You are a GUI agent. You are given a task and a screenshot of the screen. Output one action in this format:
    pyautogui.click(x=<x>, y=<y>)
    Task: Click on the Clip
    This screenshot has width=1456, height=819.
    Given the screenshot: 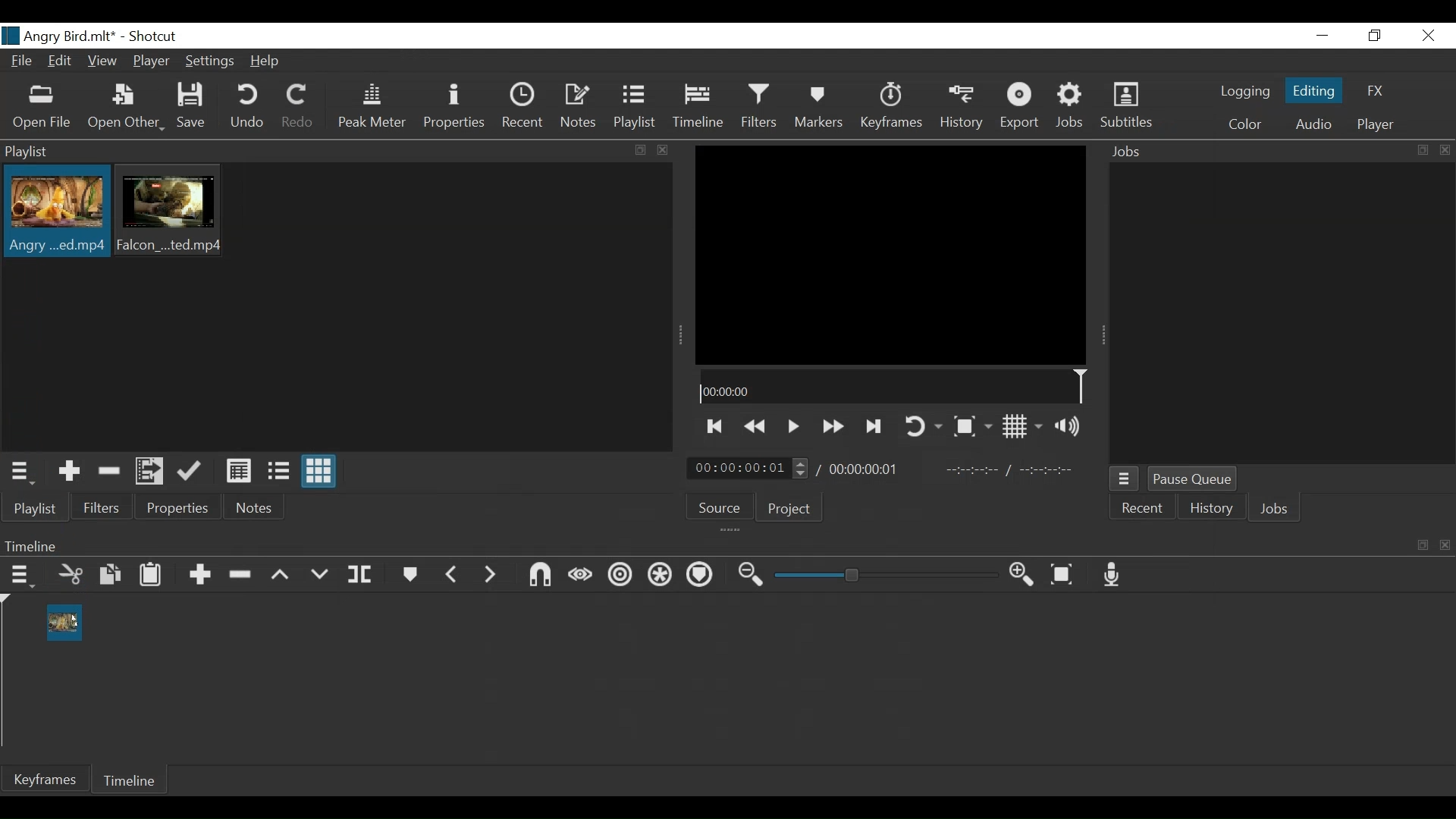 What is the action you would take?
    pyautogui.click(x=66, y=622)
    